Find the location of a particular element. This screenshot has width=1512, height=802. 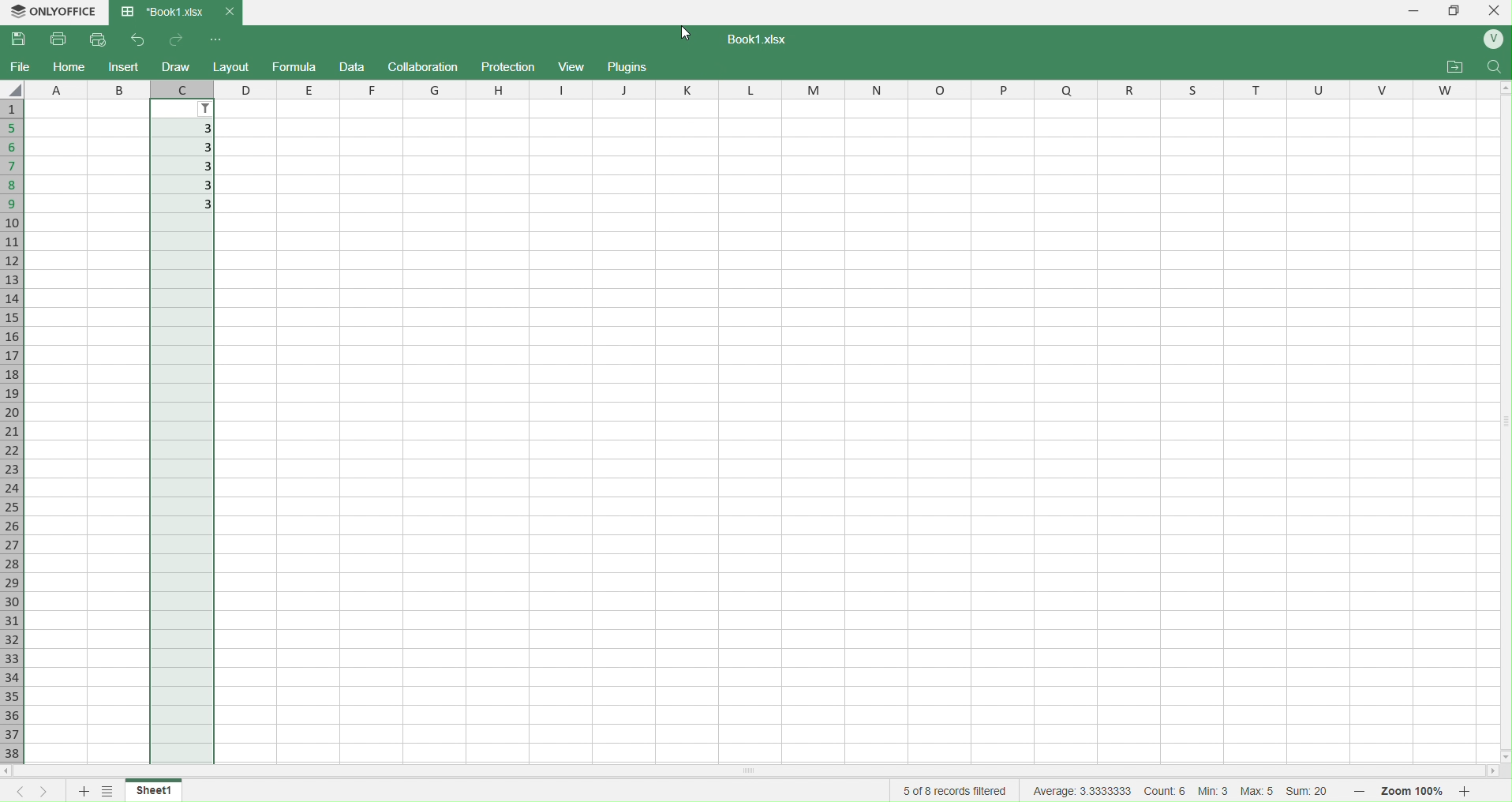

scroll down is located at coordinates (1503, 757).